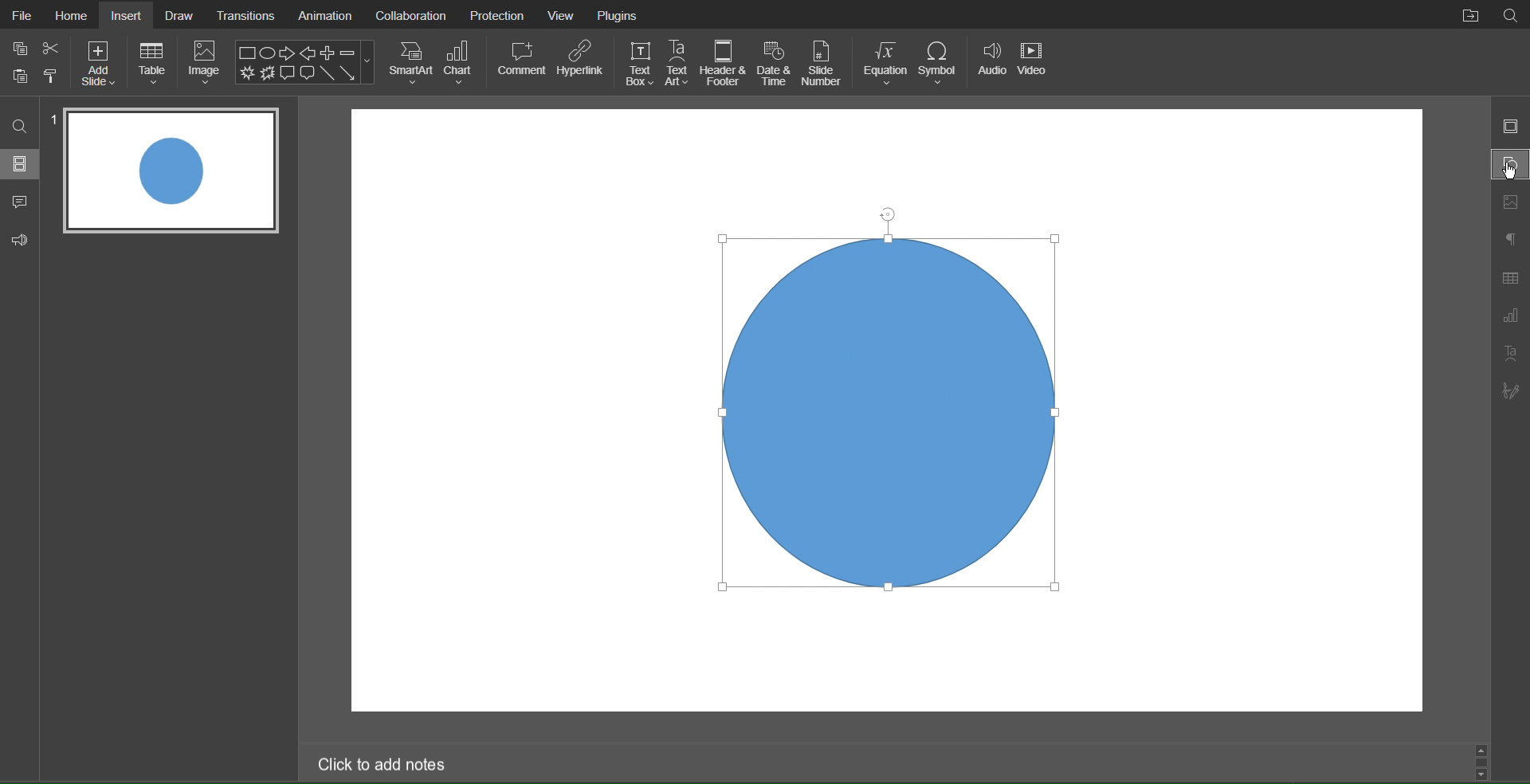  Describe the element at coordinates (1481, 751) in the screenshot. I see `scroll up ` at that location.